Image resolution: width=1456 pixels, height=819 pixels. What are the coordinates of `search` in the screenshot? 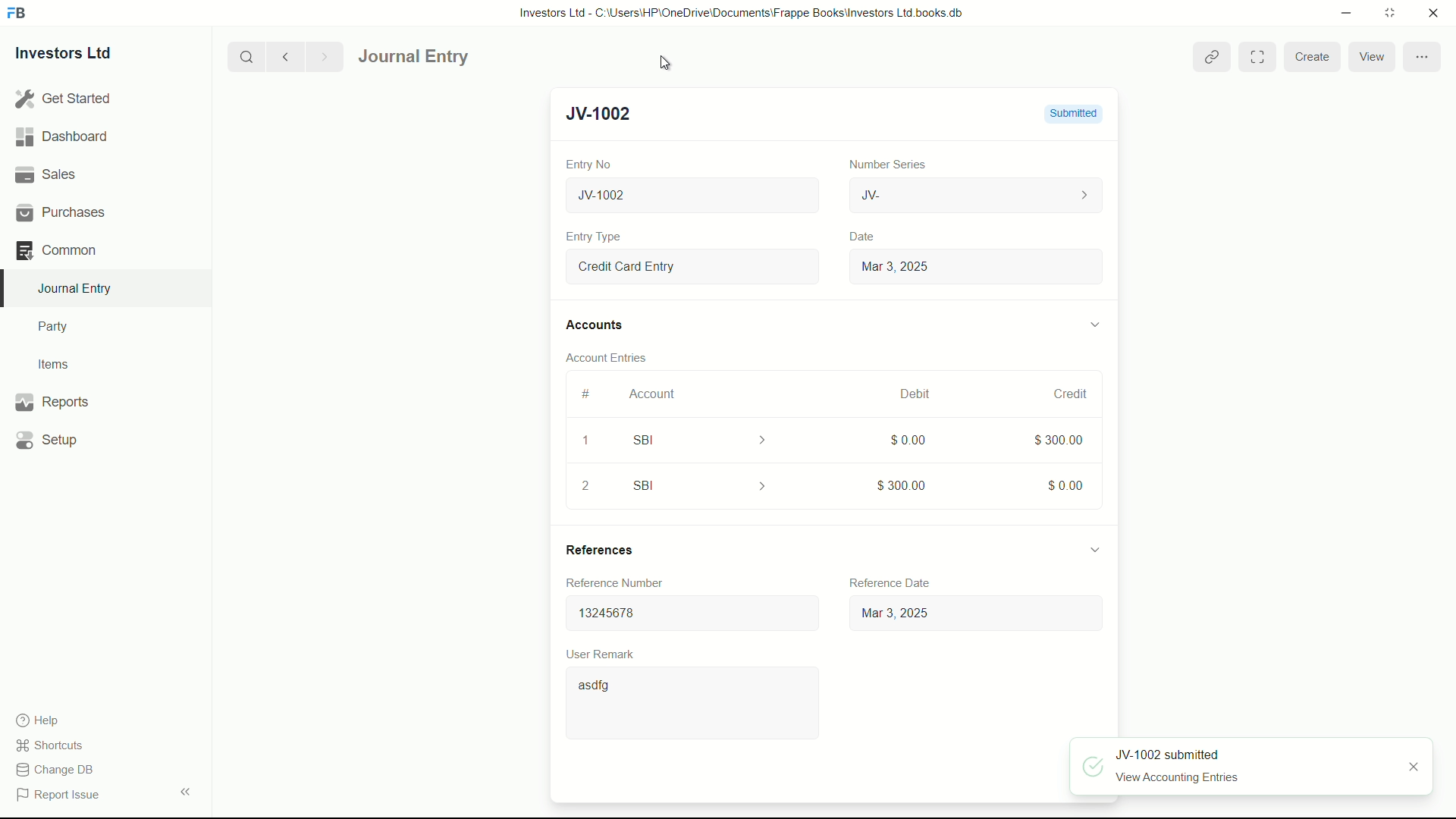 It's located at (245, 55).